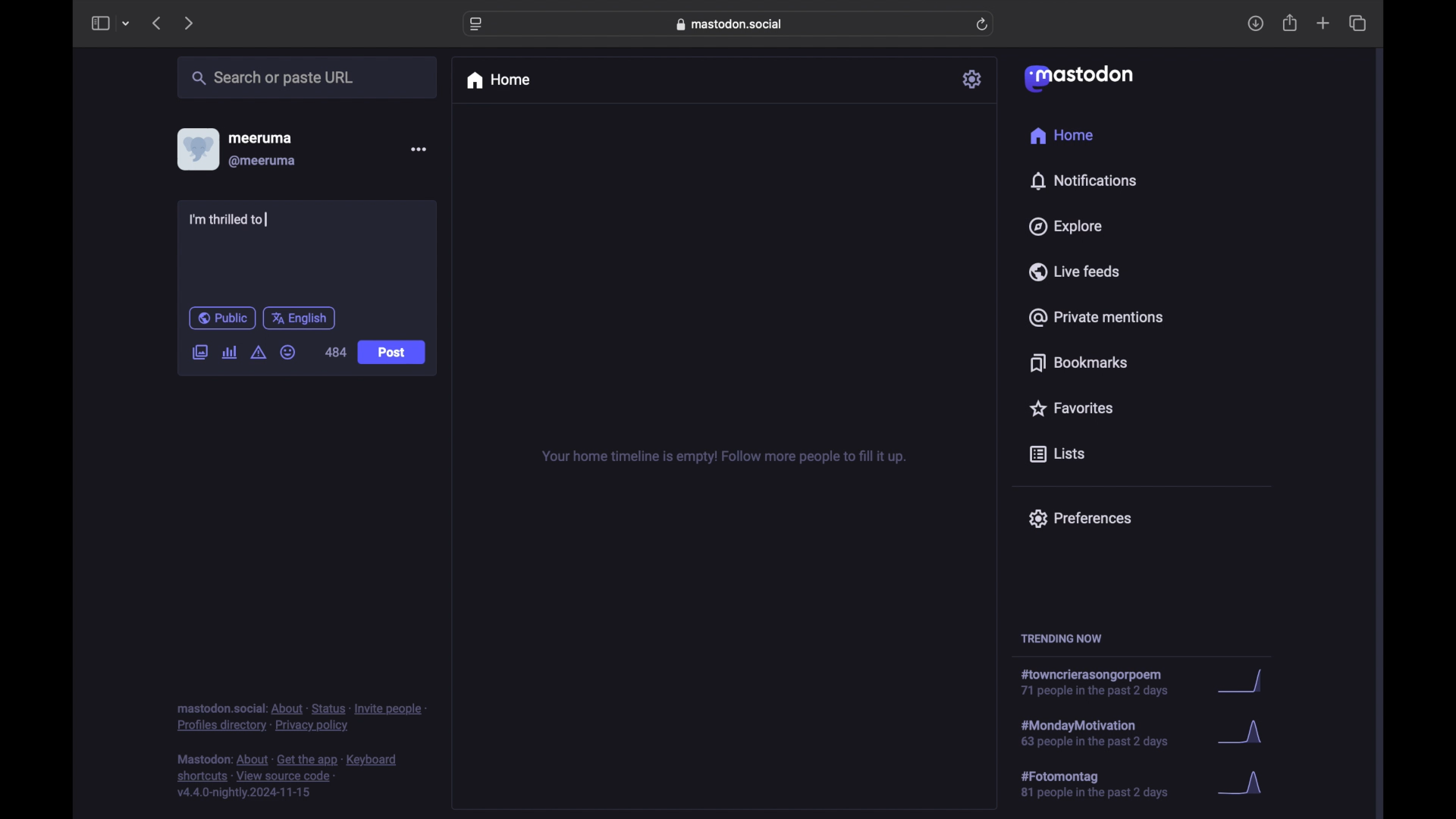 Image resolution: width=1456 pixels, height=819 pixels. Describe the element at coordinates (1109, 732) in the screenshot. I see `hashtag  trend` at that location.